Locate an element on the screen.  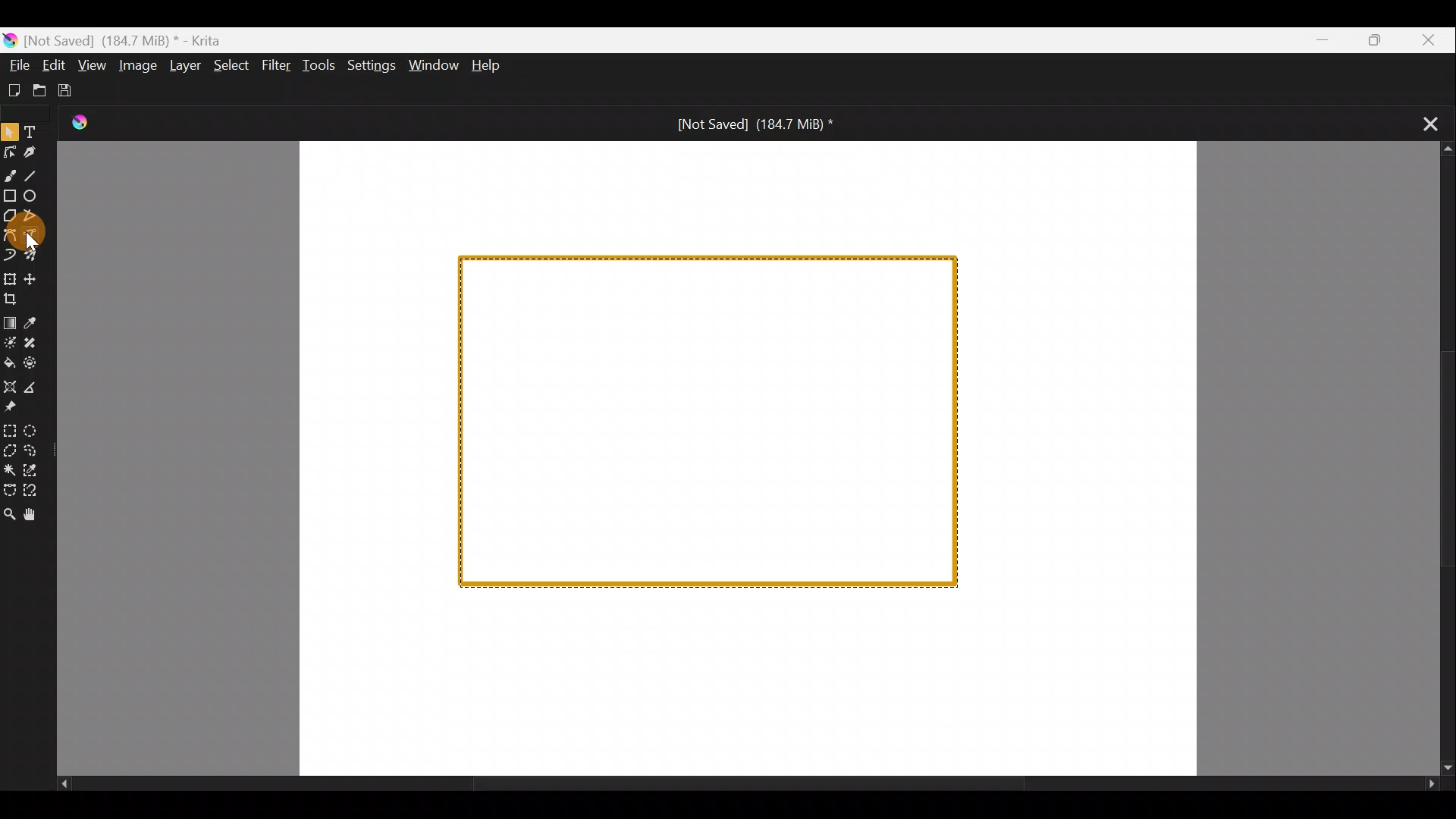
Transform a layer is located at coordinates (9, 280).